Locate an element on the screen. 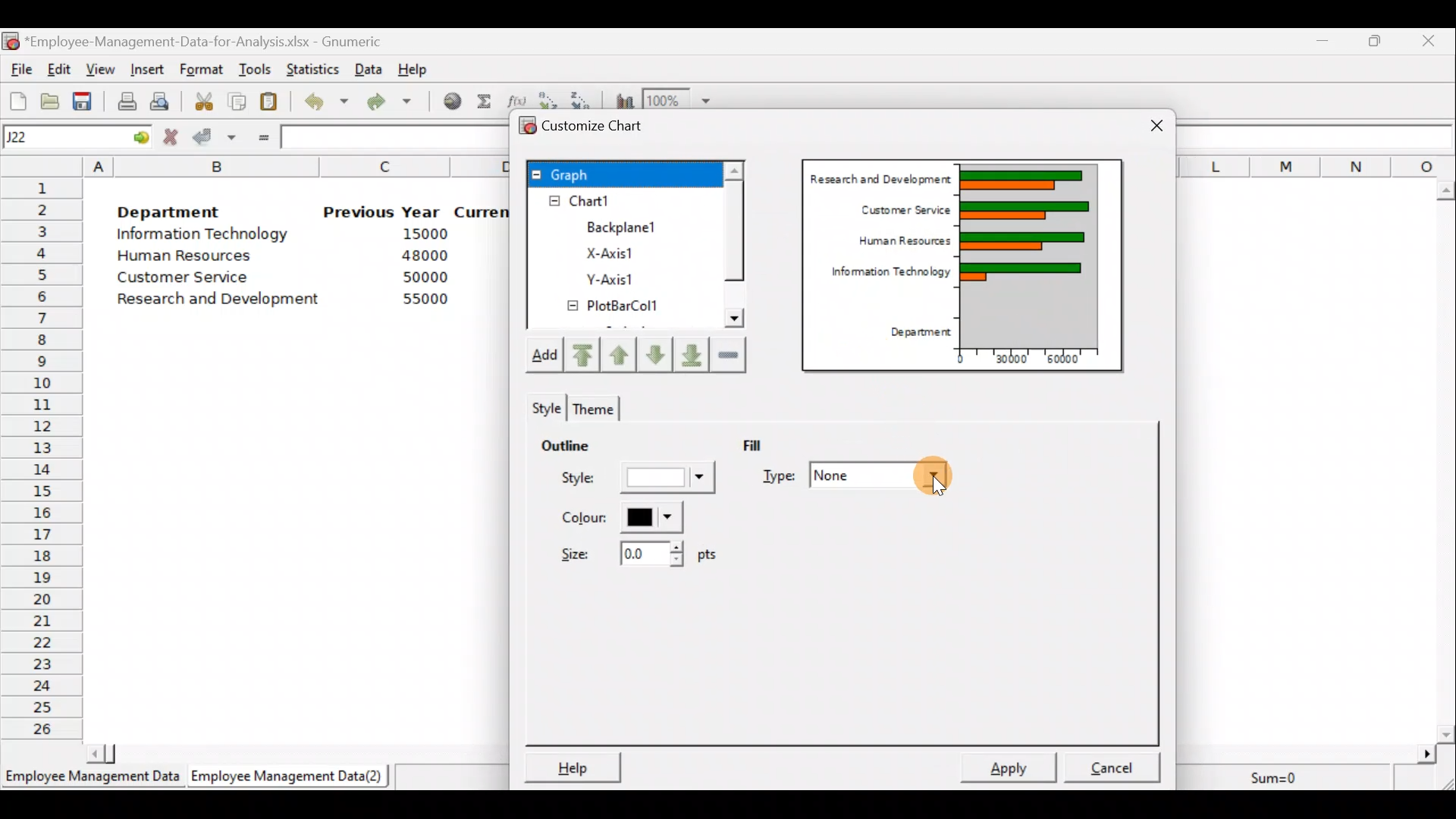 This screenshot has width=1456, height=819. Redo undone action is located at coordinates (397, 103).